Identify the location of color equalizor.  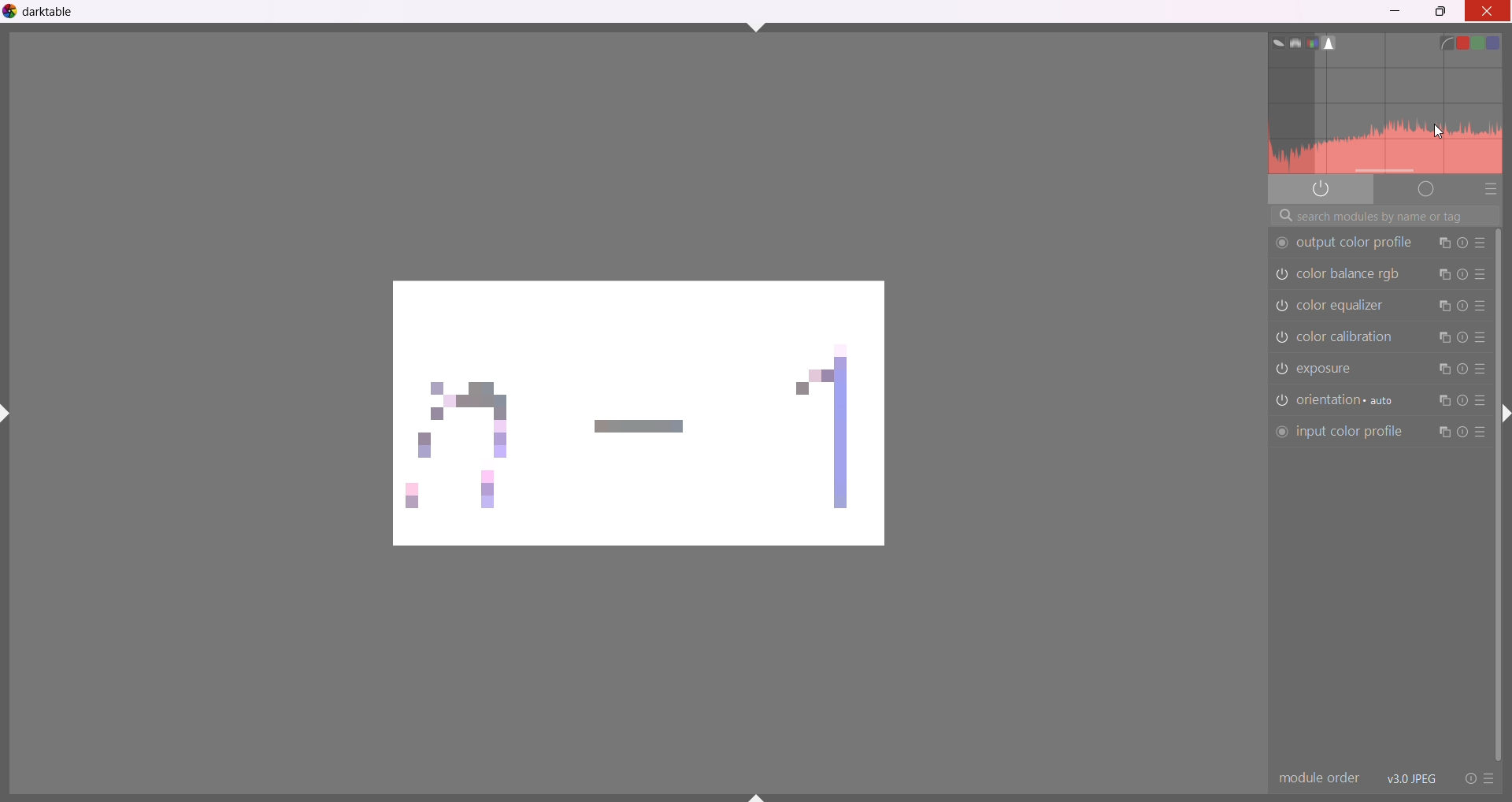
(1346, 304).